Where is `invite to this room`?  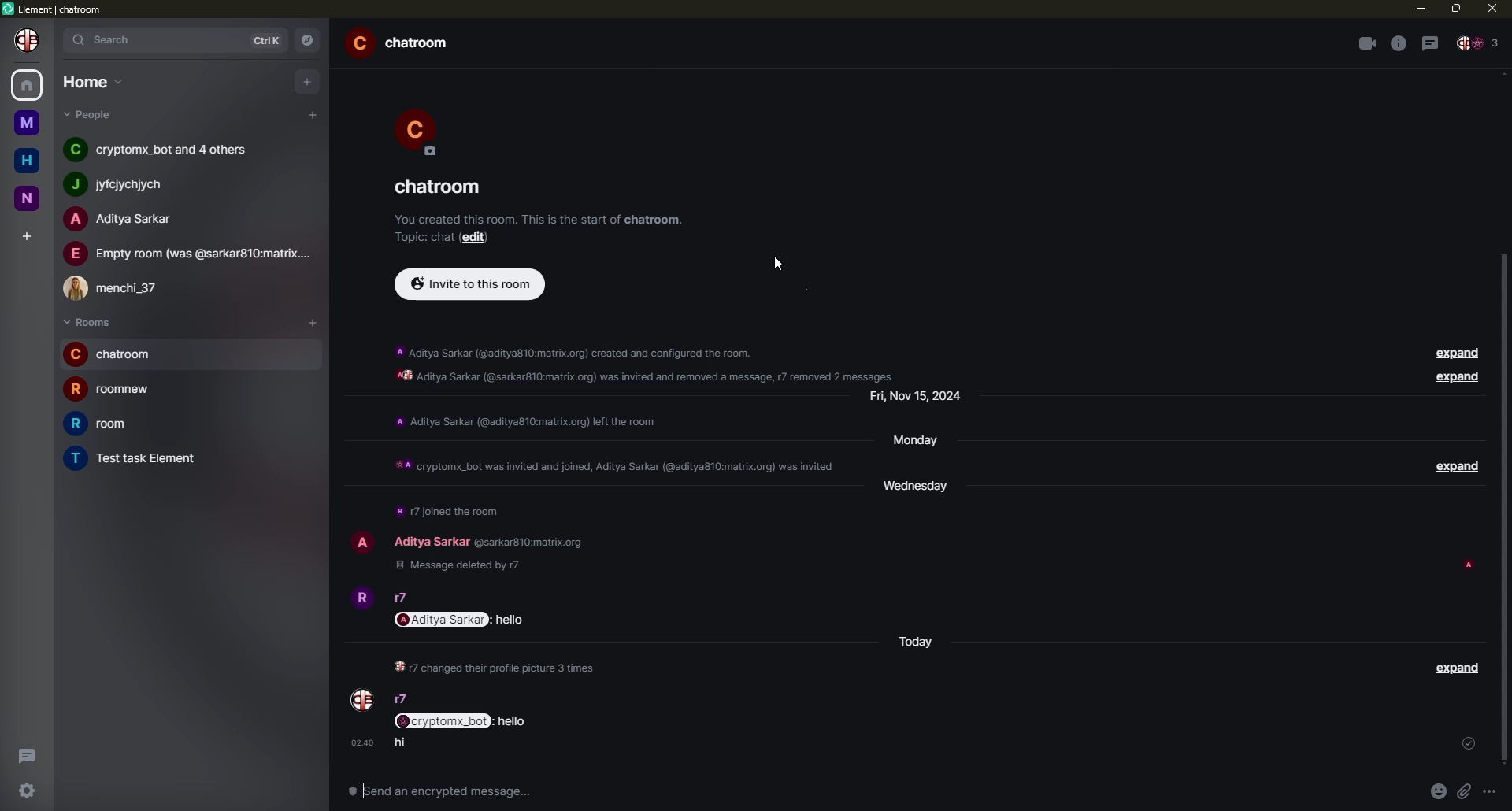
invite to this room is located at coordinates (469, 286).